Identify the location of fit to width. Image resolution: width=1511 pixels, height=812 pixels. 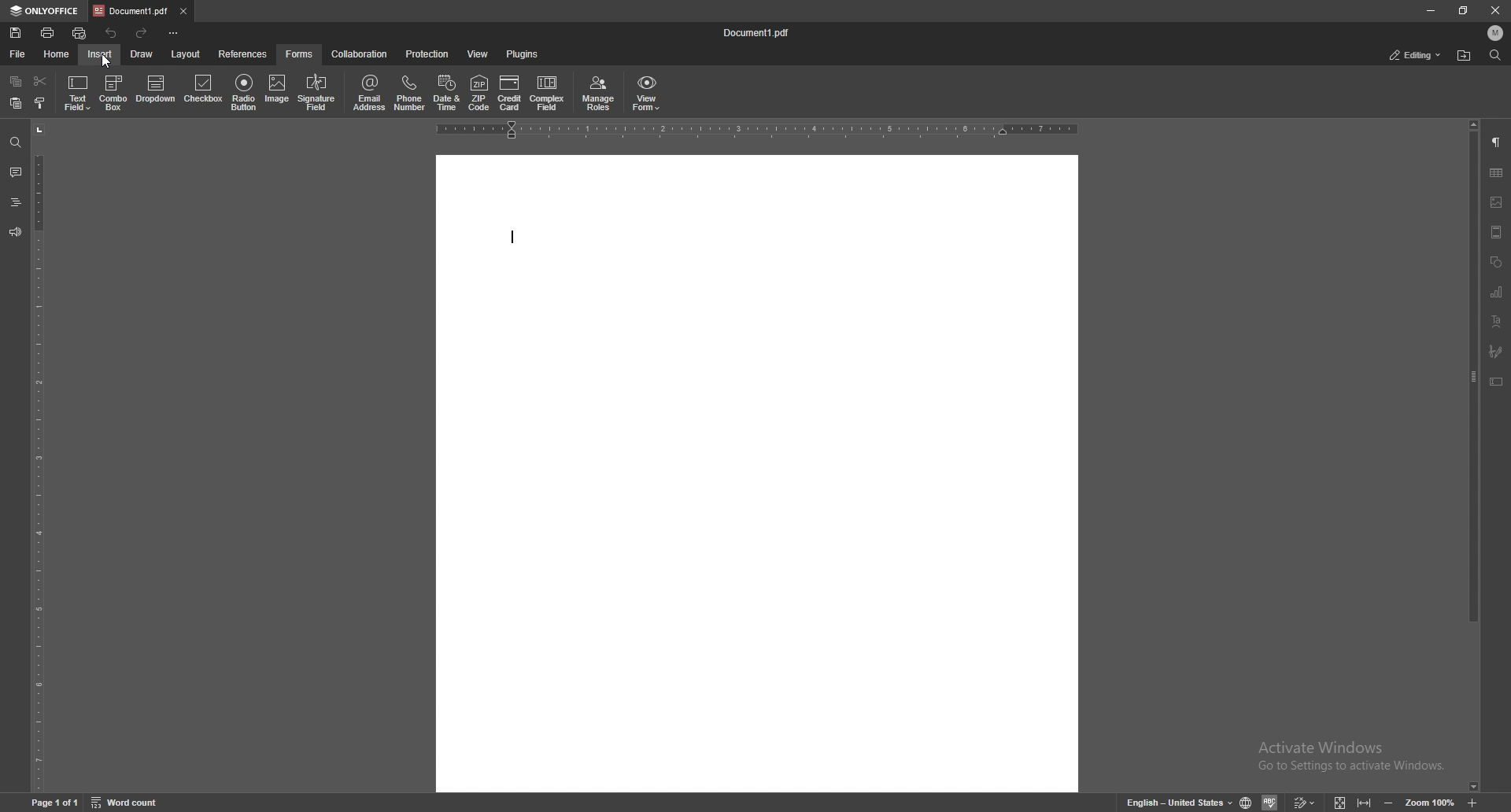
(1365, 803).